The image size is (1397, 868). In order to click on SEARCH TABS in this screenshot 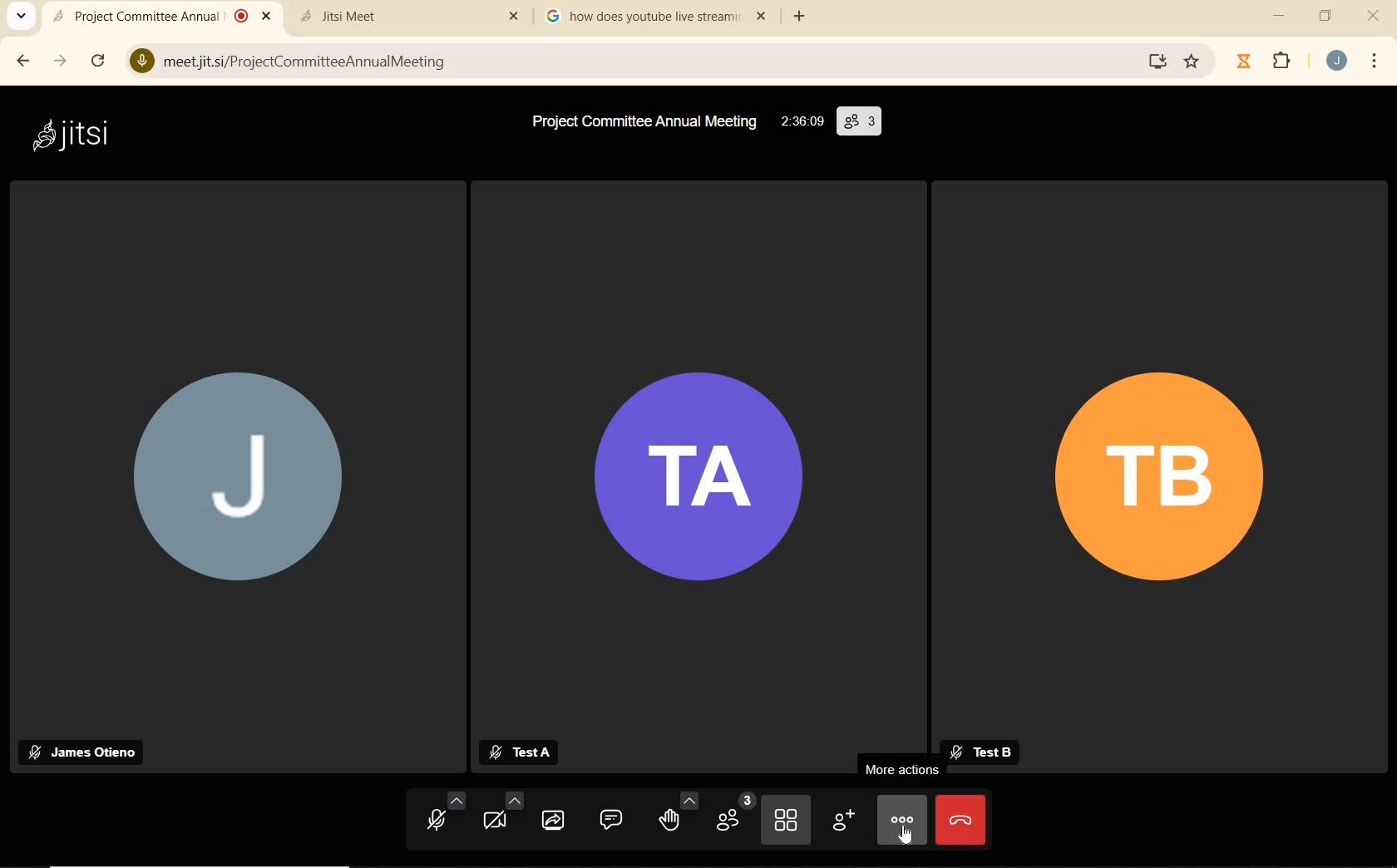, I will do `click(22, 16)`.